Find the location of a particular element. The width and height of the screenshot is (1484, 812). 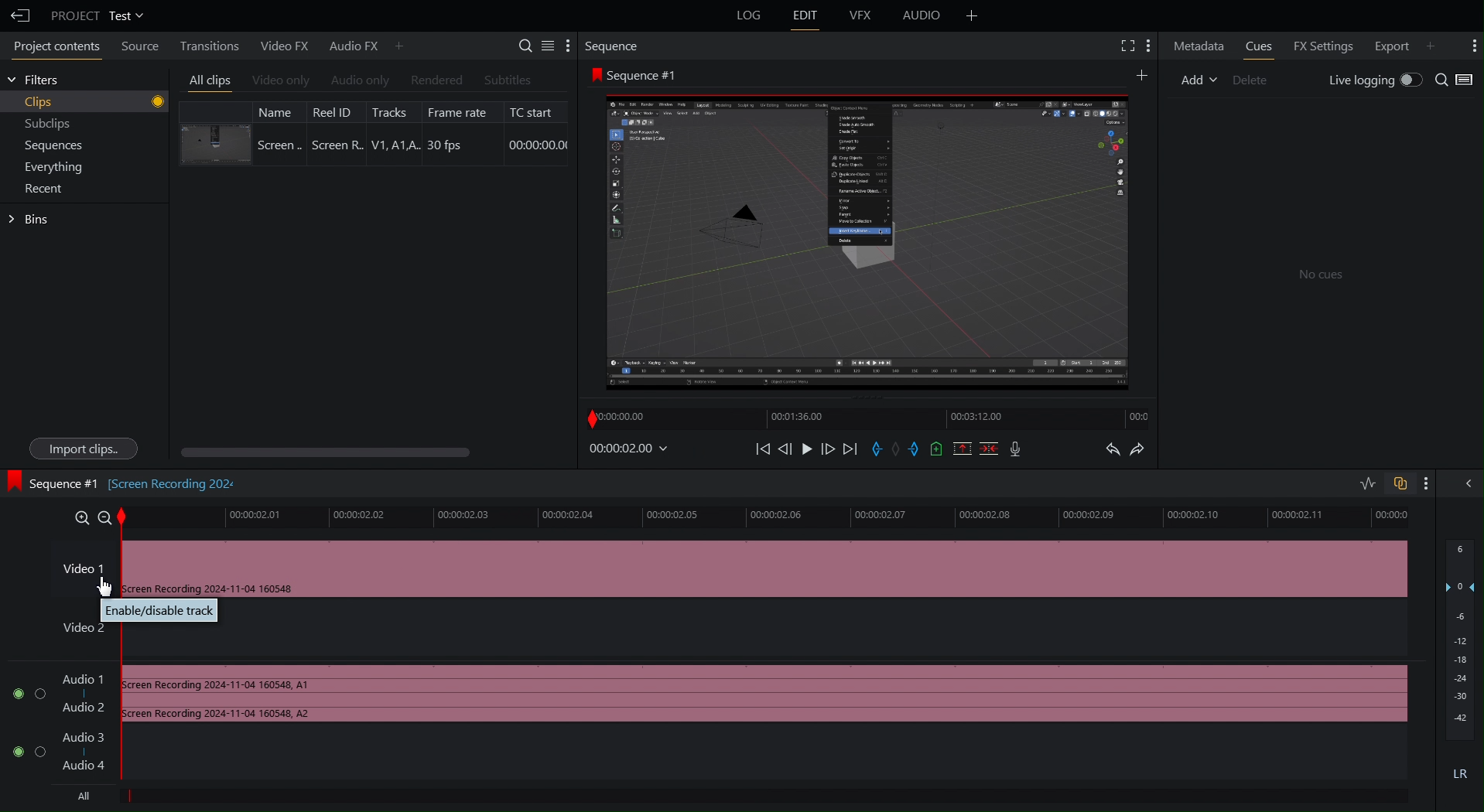

Toggle Auto Sync is located at coordinates (1400, 481).